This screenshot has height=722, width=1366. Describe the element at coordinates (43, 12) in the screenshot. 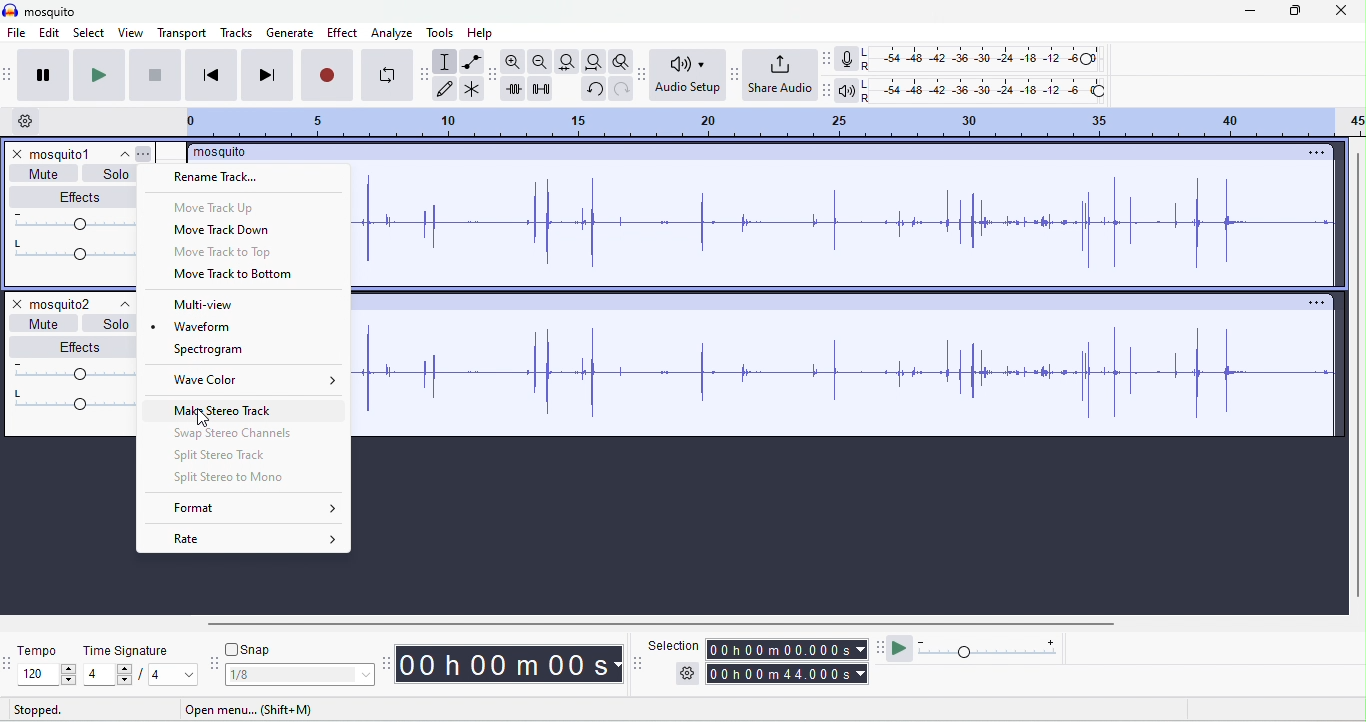

I see `mosquito` at that location.